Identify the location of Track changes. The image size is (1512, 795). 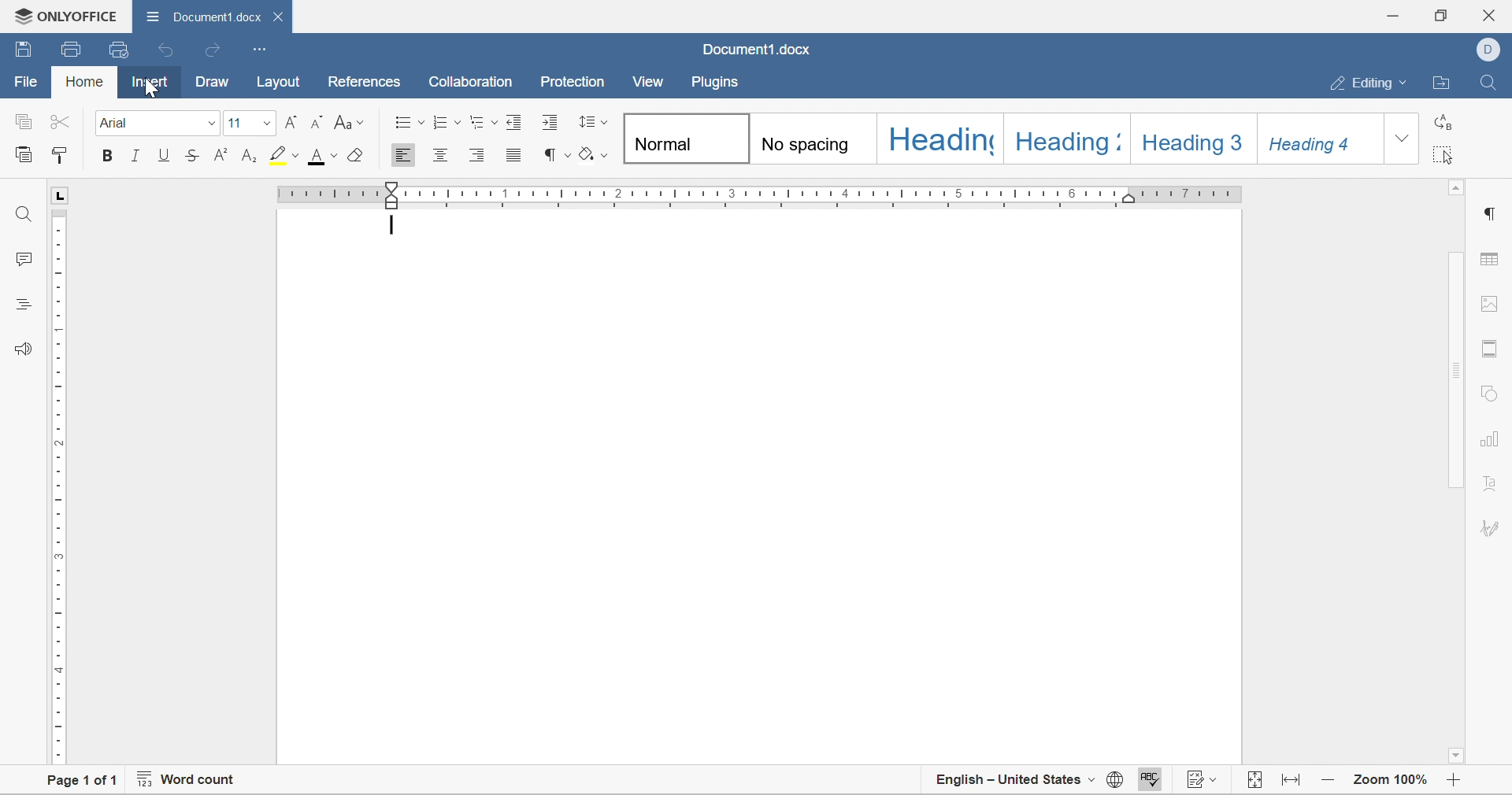
(1203, 782).